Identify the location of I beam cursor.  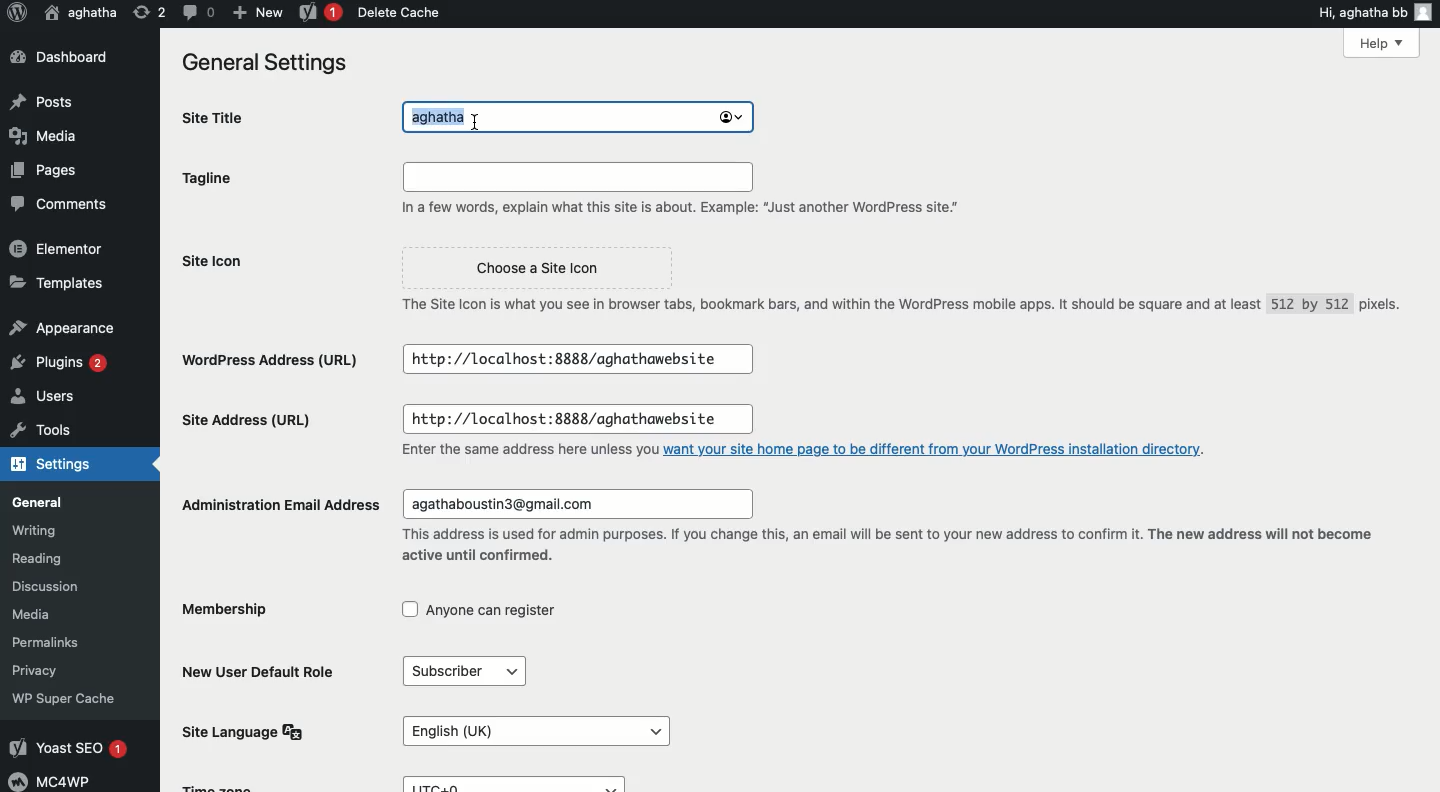
(475, 123).